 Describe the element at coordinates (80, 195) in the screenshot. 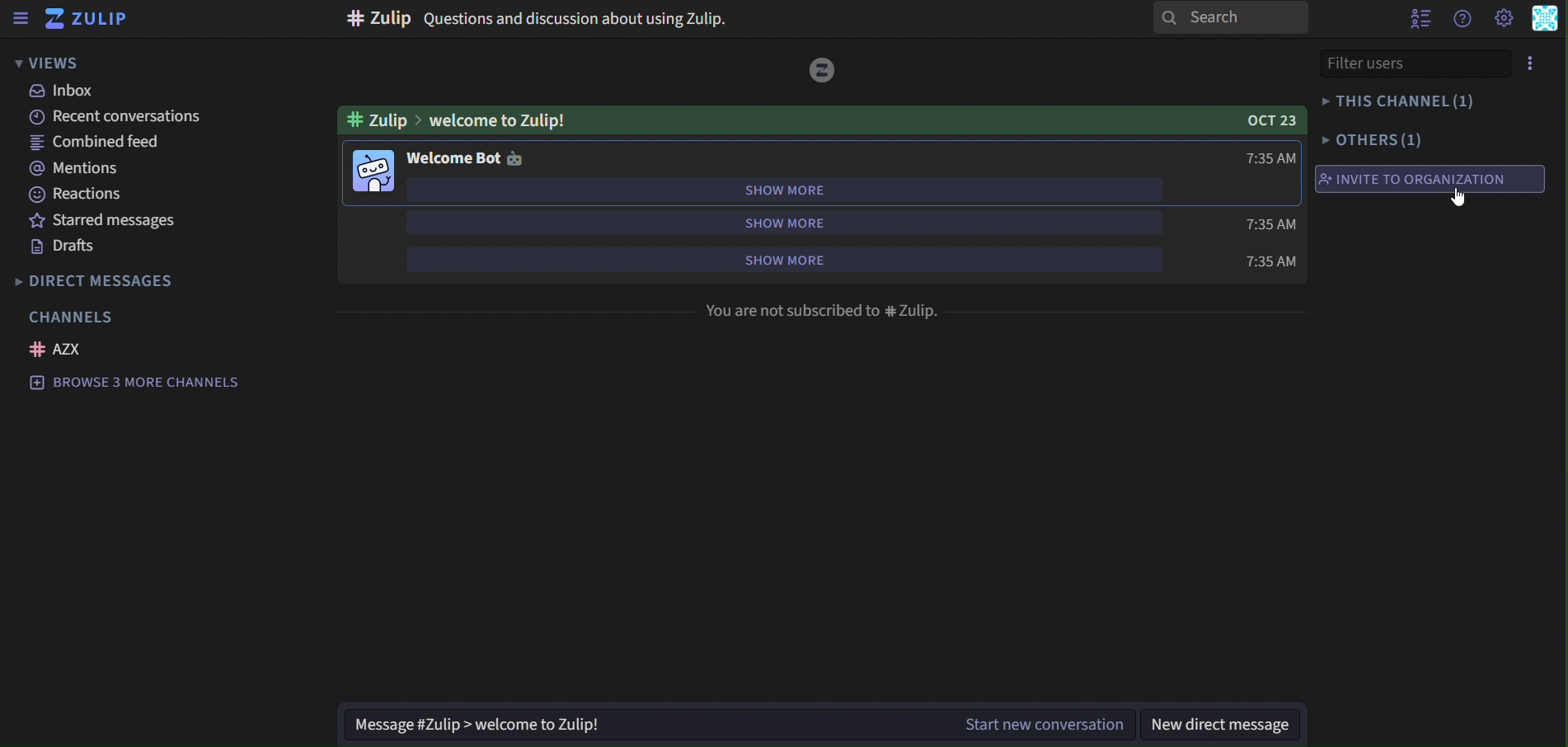

I see `reactions` at that location.